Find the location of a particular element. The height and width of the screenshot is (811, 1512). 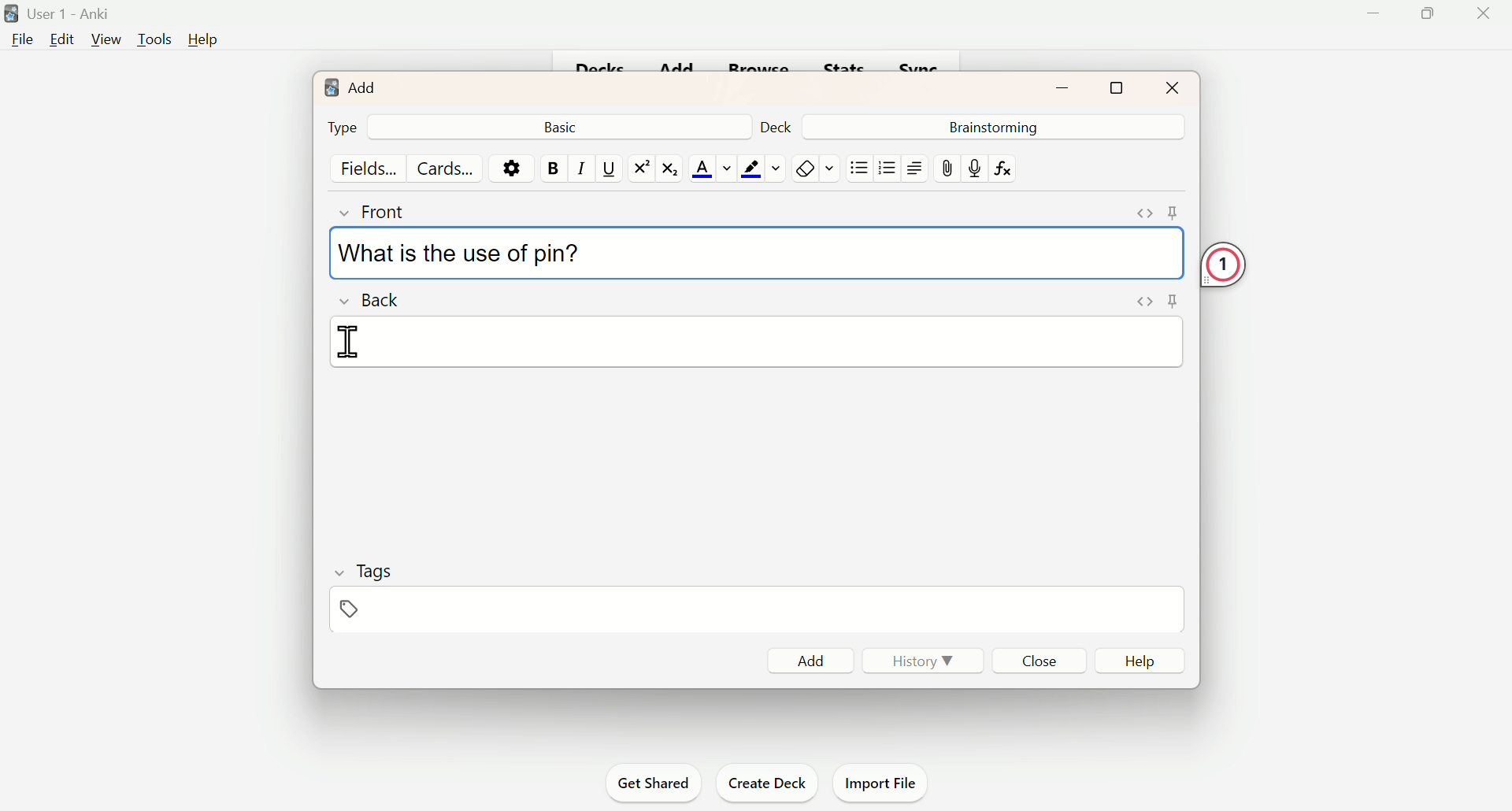

Deck is located at coordinates (782, 124).